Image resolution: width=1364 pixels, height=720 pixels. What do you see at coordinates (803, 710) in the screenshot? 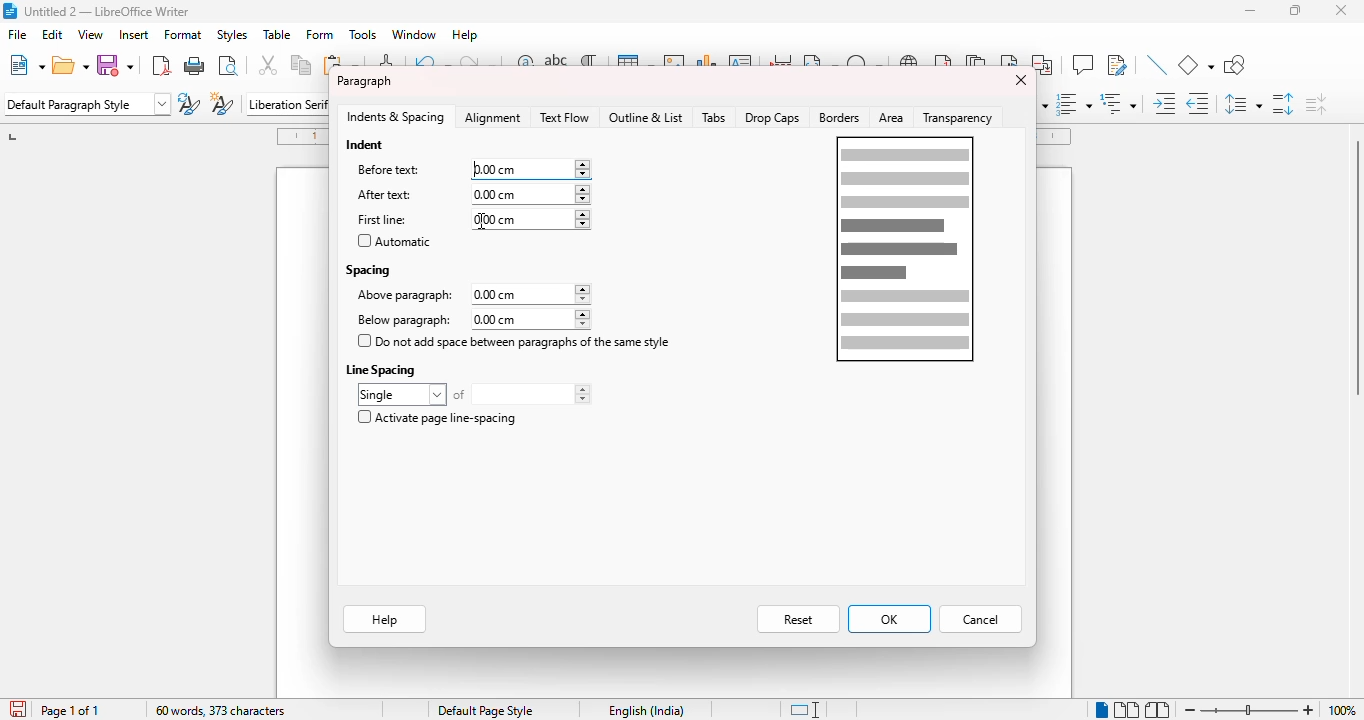
I see `standard selection` at bounding box center [803, 710].